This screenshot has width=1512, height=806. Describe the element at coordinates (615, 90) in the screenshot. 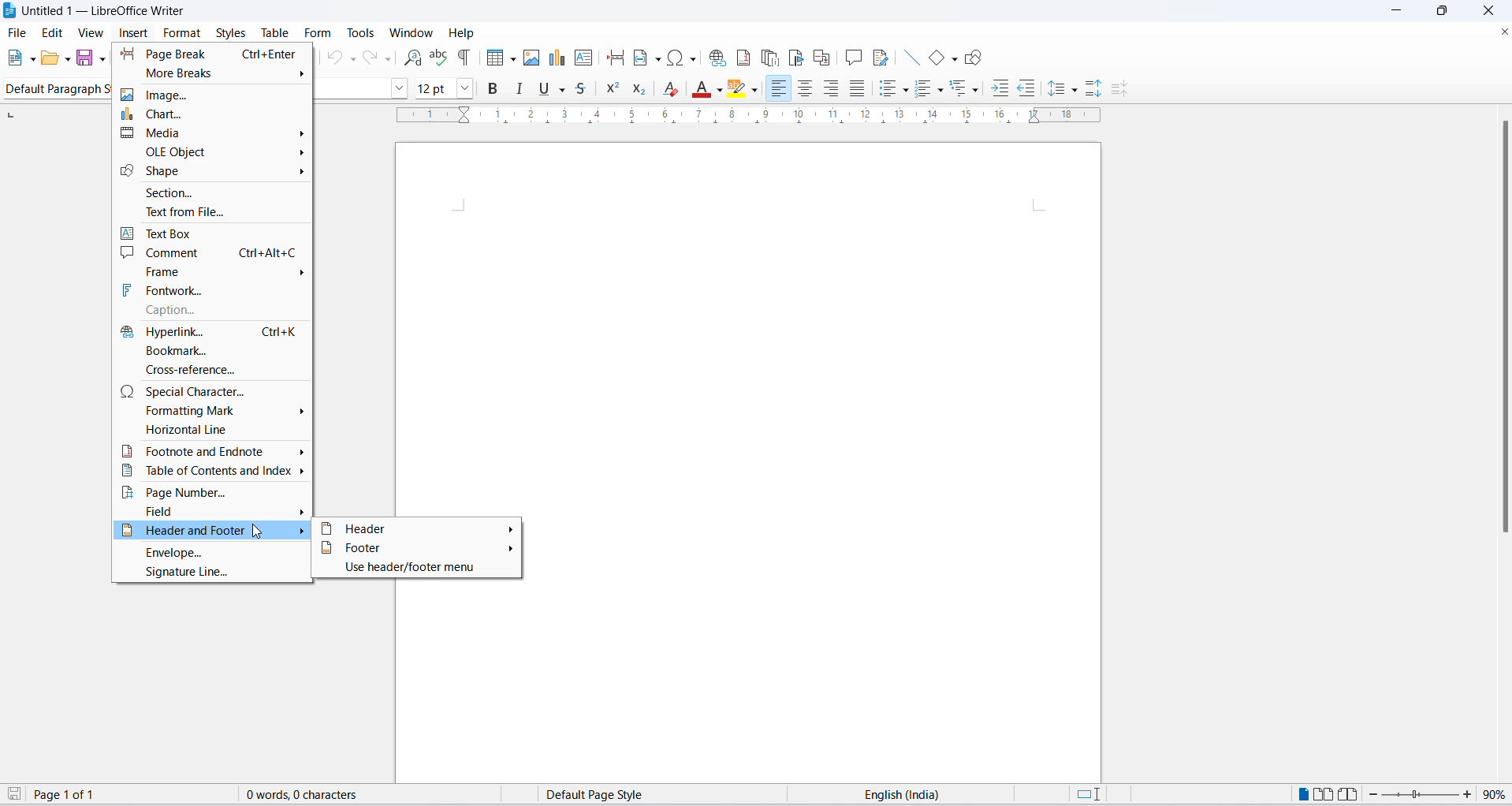

I see `superscript` at that location.